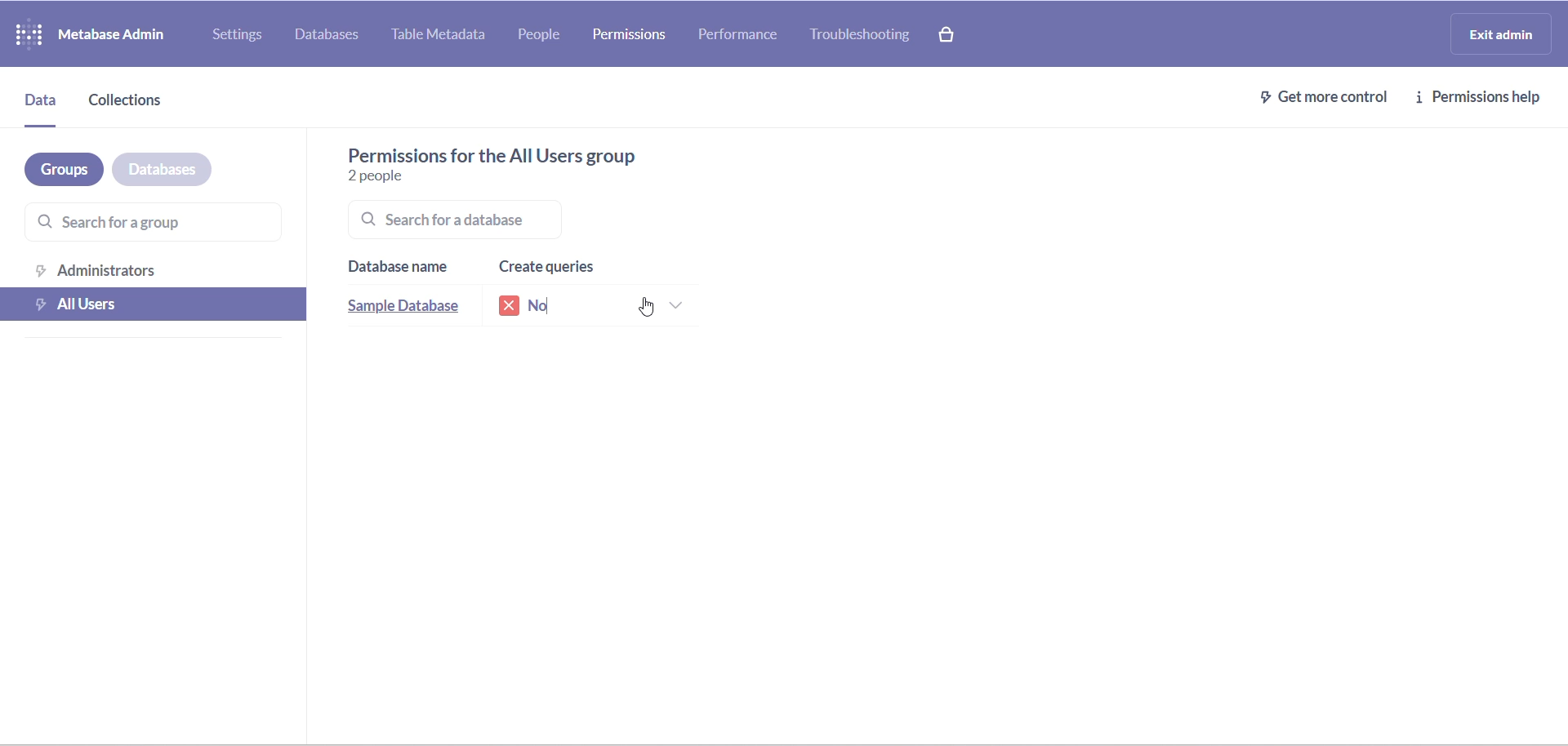  Describe the element at coordinates (550, 36) in the screenshot. I see `people` at that location.